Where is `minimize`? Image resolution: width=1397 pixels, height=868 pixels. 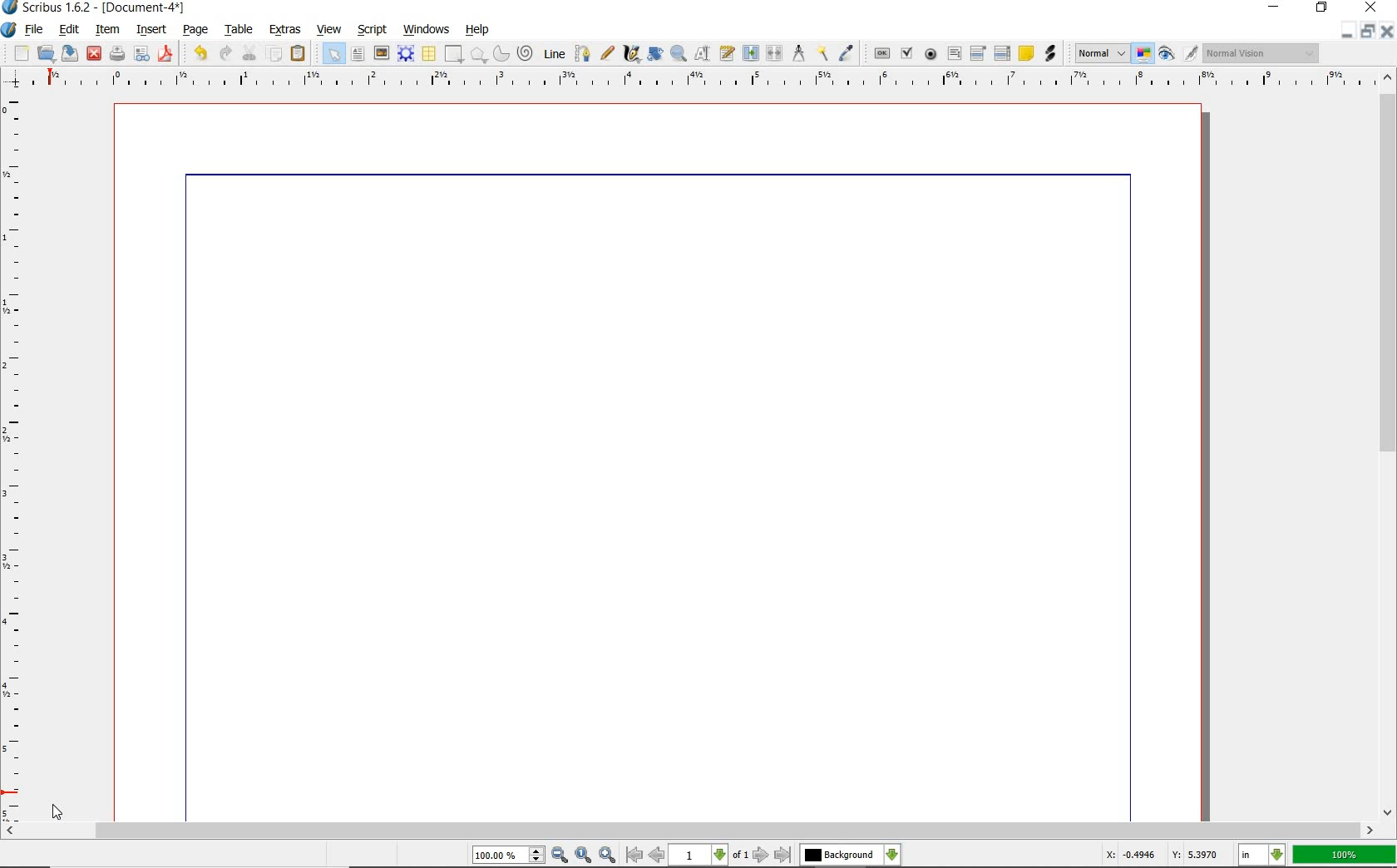
minimize is located at coordinates (1276, 8).